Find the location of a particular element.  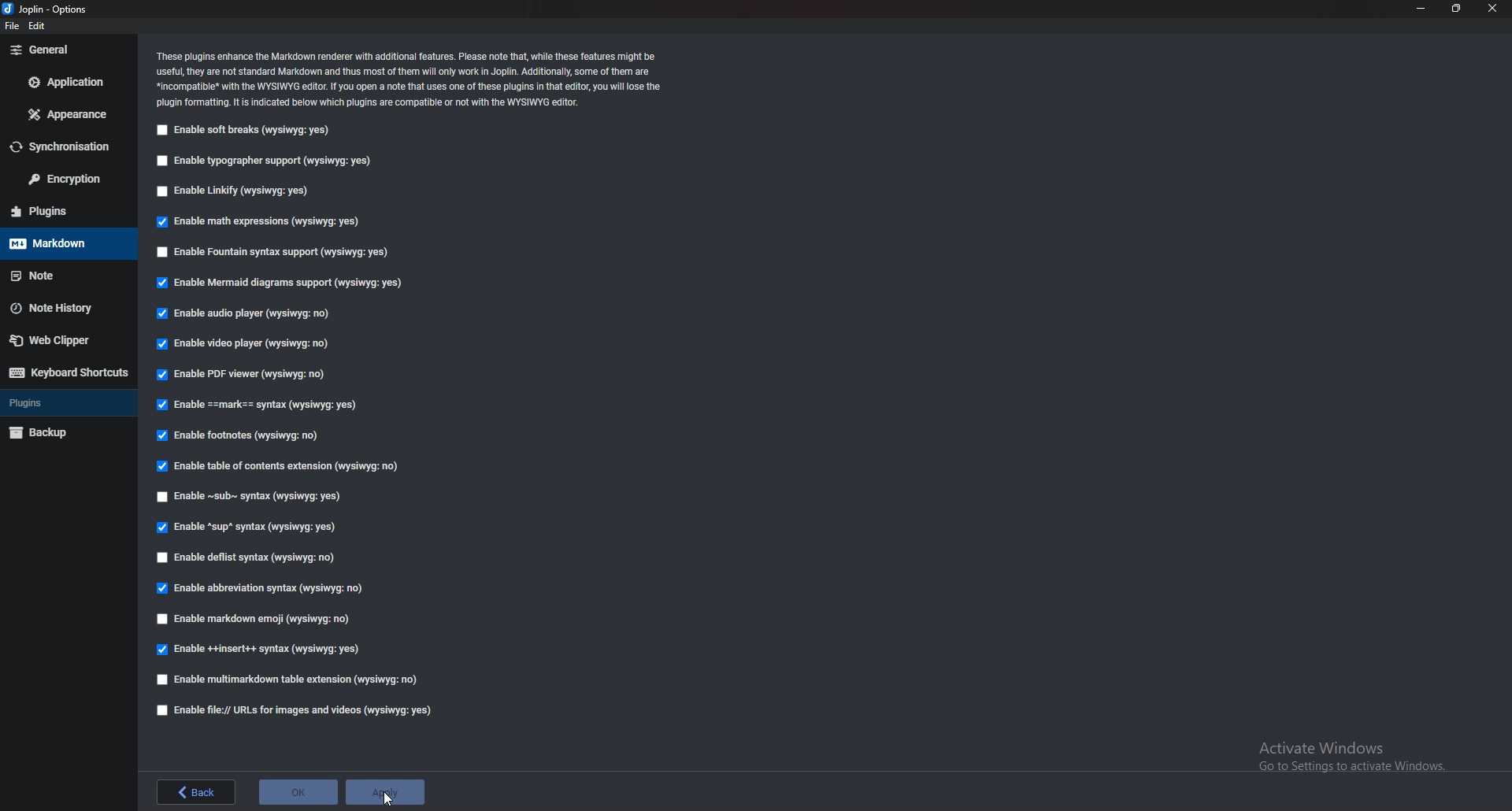

Enable insert syntax is located at coordinates (258, 652).